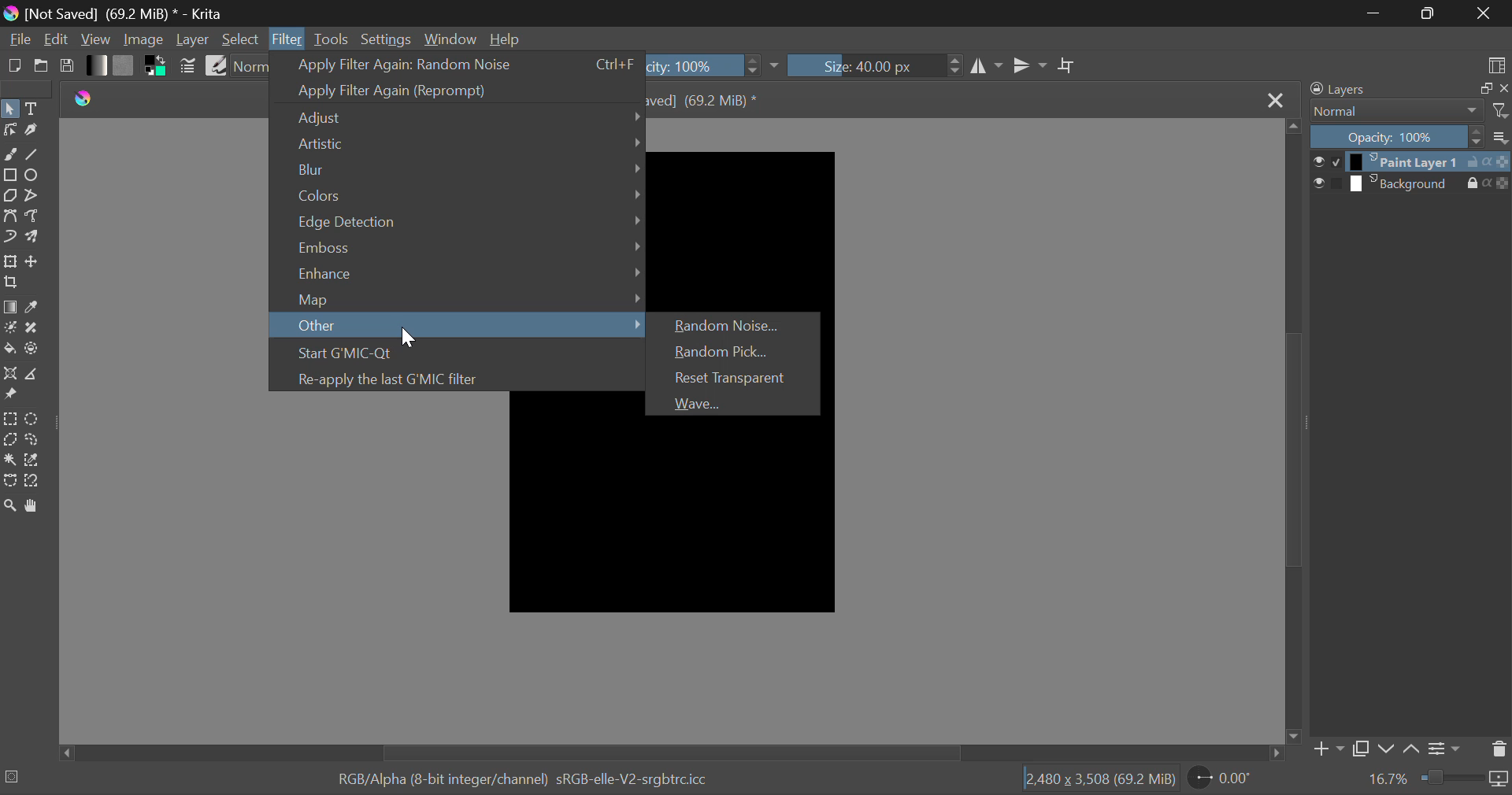 The image size is (1512, 795). Describe the element at coordinates (1031, 65) in the screenshot. I see `Horizontal Mirror Flip` at that location.